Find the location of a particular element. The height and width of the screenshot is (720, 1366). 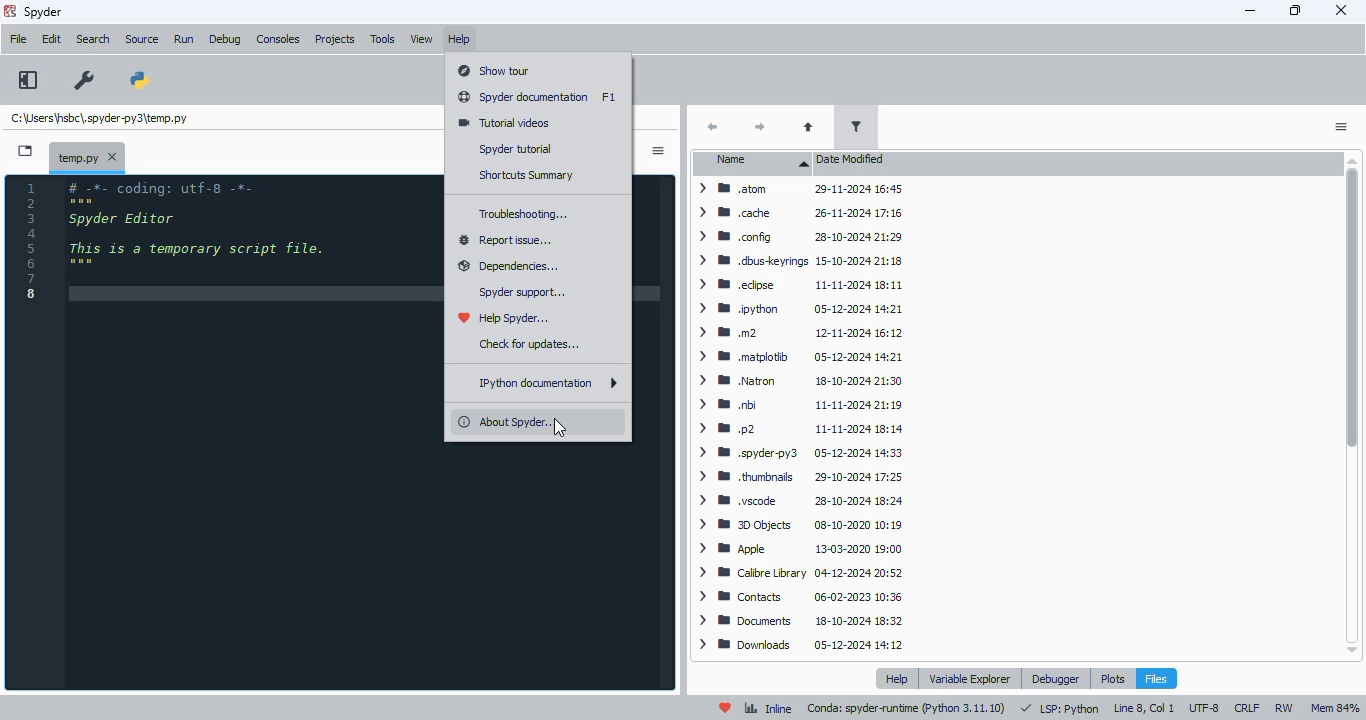

edit is located at coordinates (51, 39).